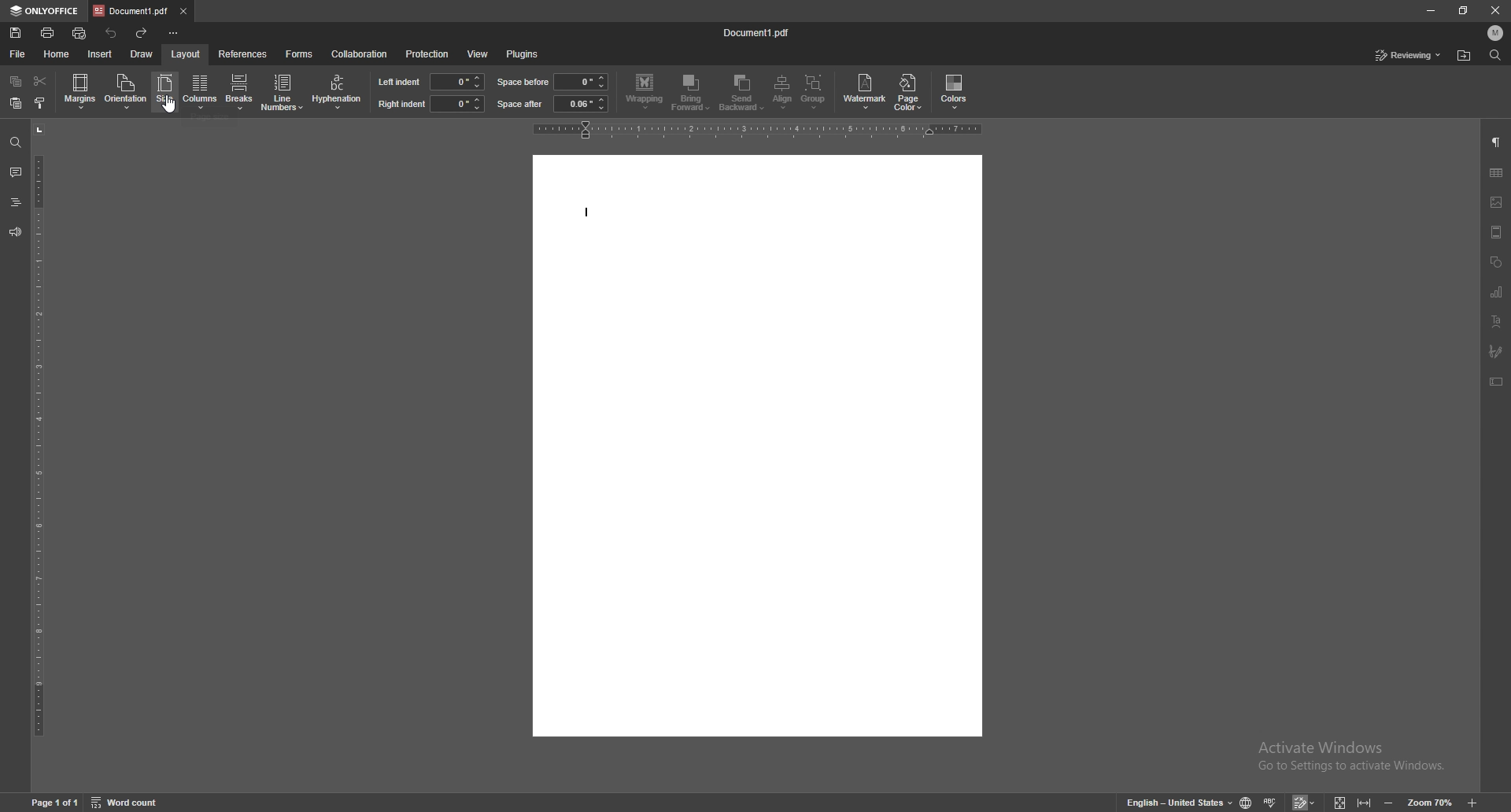 The height and width of the screenshot is (812, 1511). I want to click on quick print, so click(80, 33).